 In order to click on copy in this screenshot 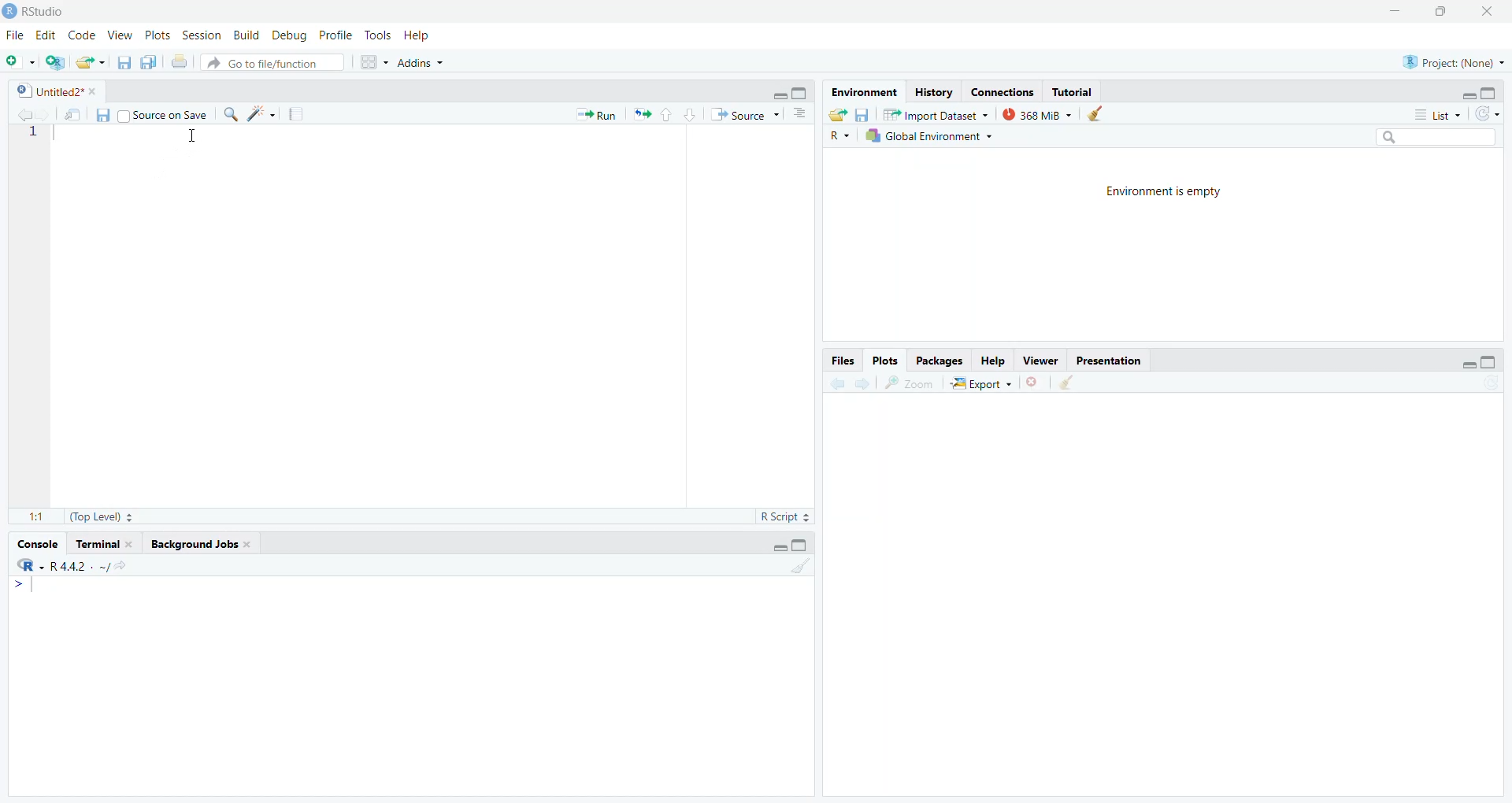, I will do `click(148, 64)`.